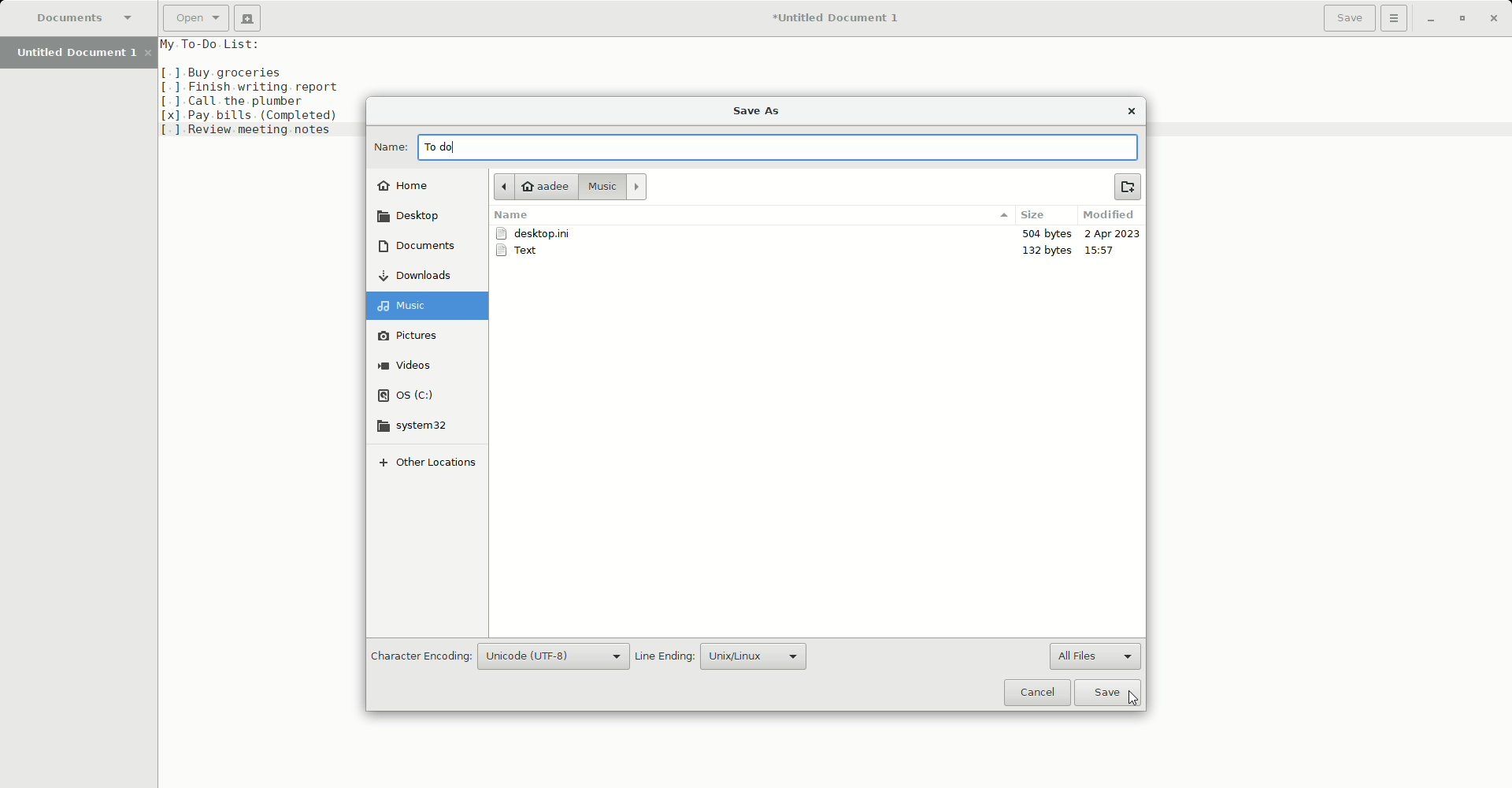  I want to click on Close, so click(1133, 112).